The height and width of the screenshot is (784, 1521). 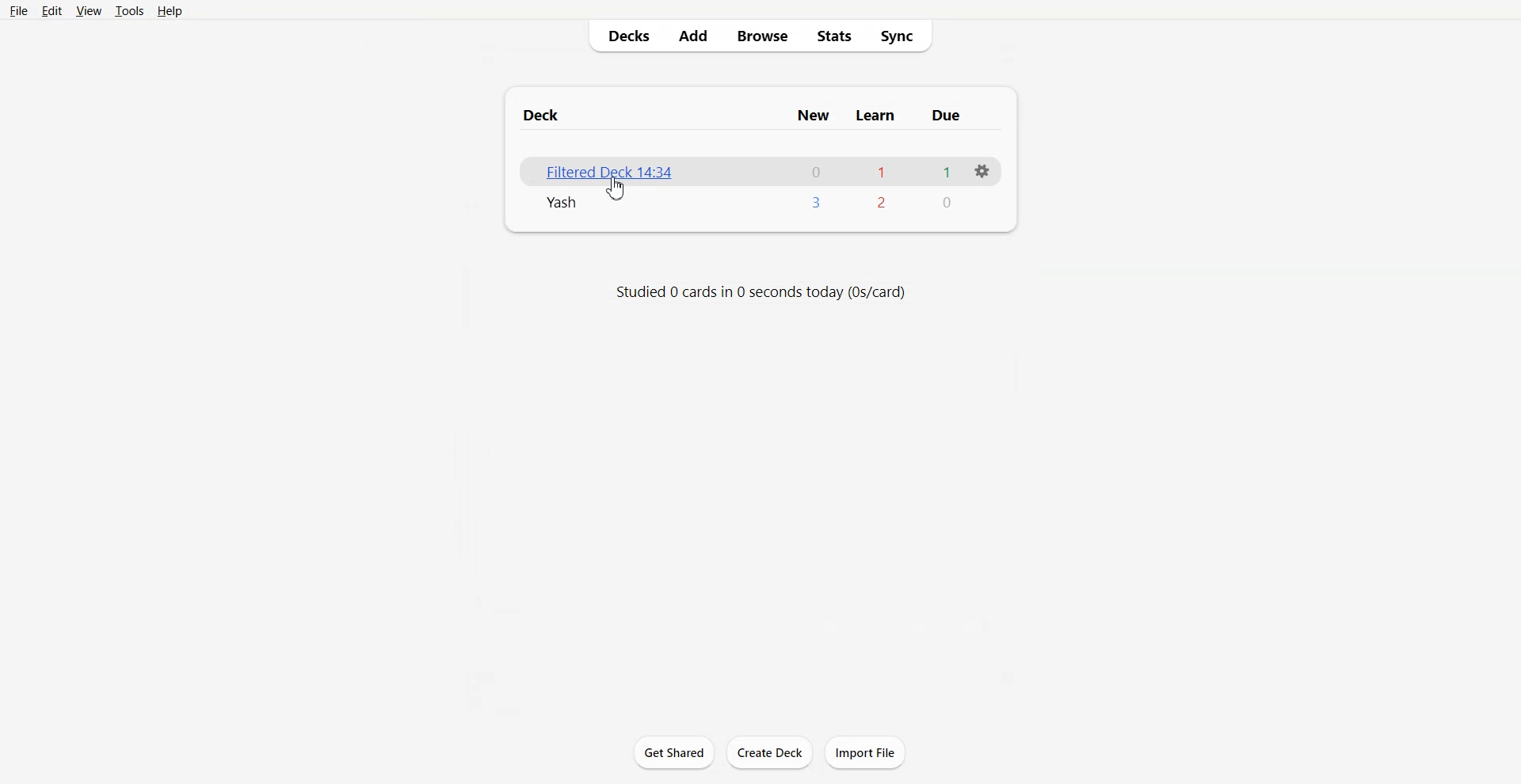 What do you see at coordinates (882, 171) in the screenshot?
I see `1` at bounding box center [882, 171].